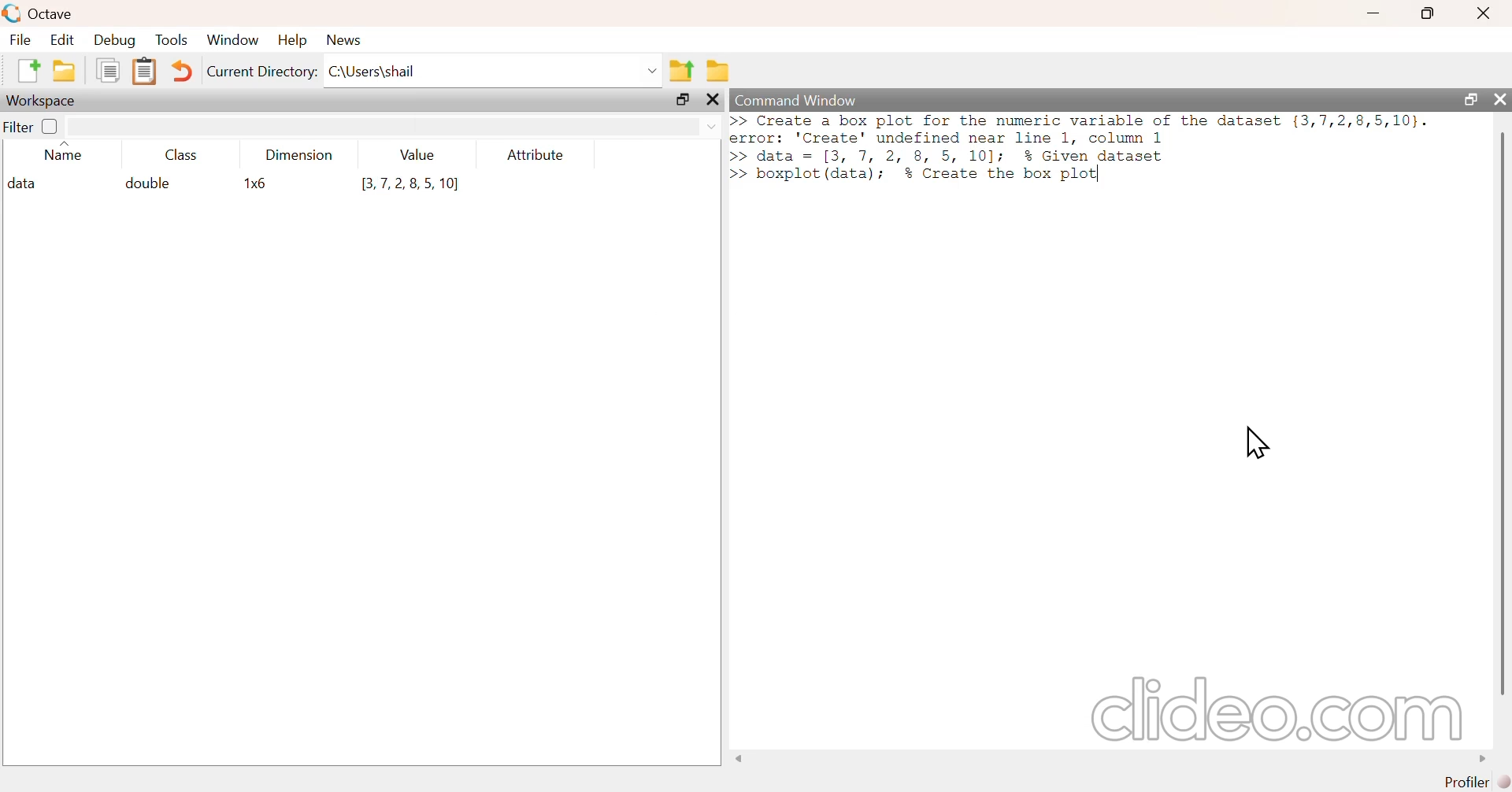  Describe the element at coordinates (301, 153) in the screenshot. I see `dimension` at that location.